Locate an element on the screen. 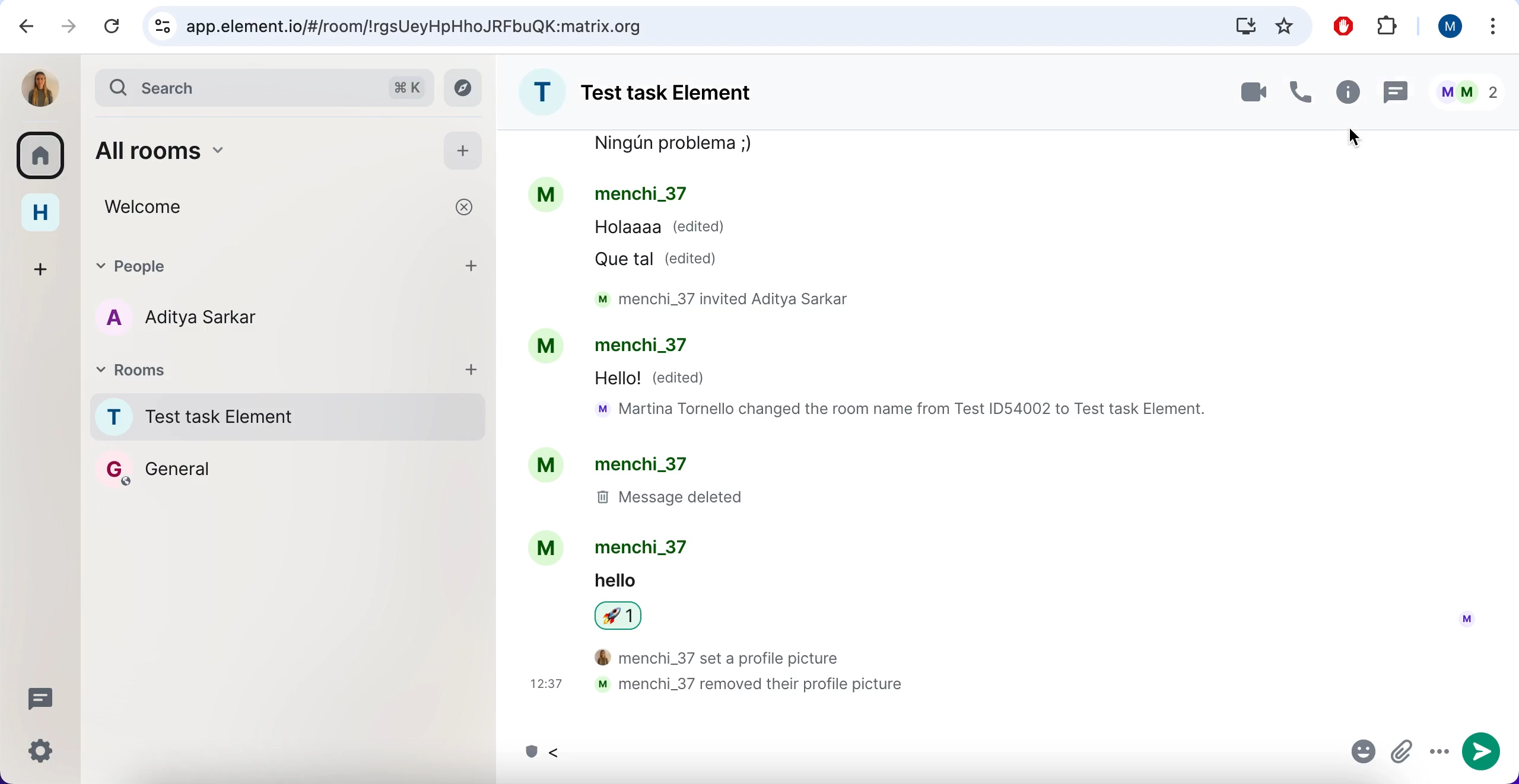 The image size is (1519, 784). ad block is located at coordinates (1340, 26).